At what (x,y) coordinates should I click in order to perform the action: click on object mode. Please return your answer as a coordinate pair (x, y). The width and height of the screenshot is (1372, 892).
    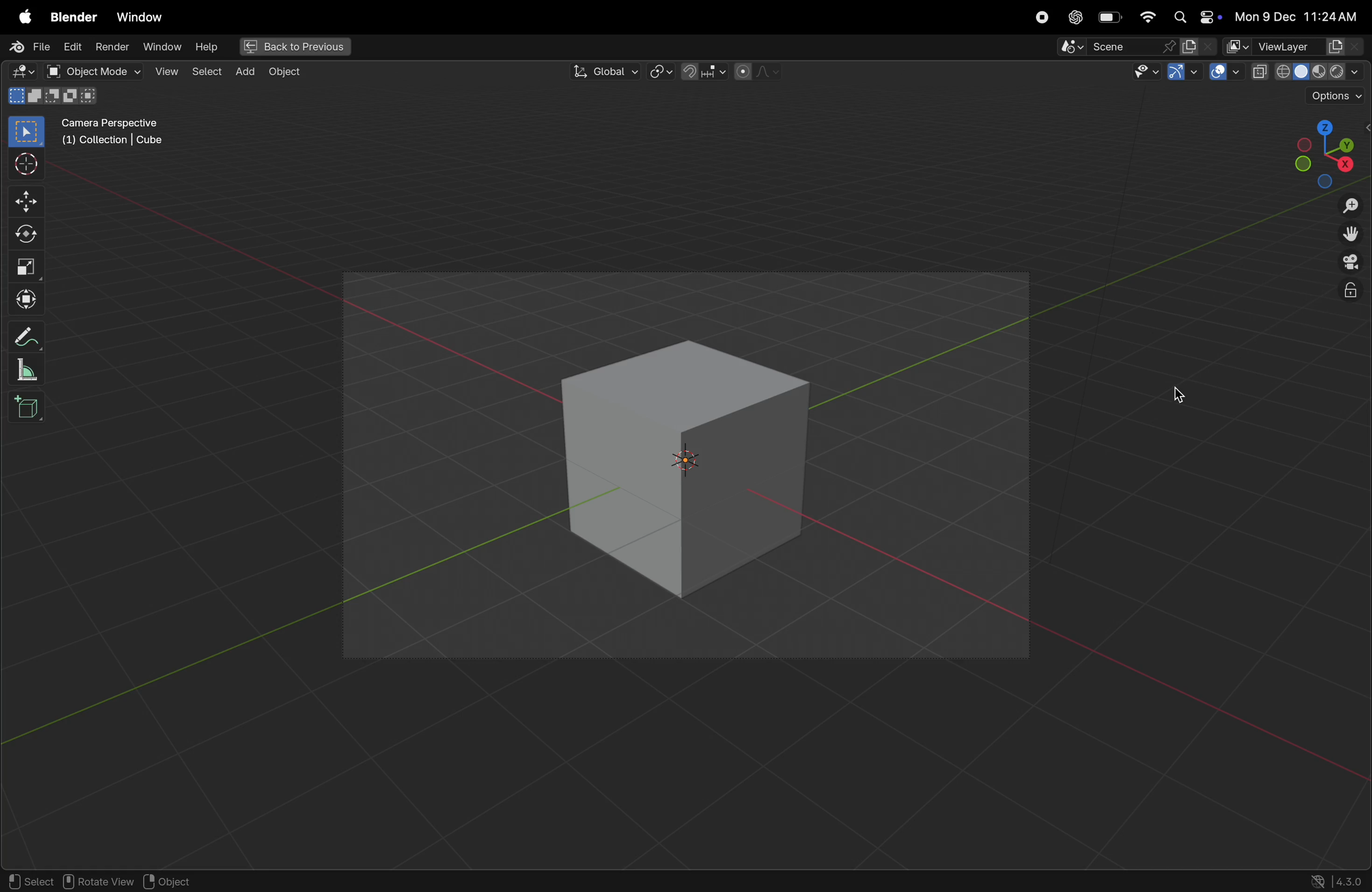
    Looking at the image, I should click on (89, 70).